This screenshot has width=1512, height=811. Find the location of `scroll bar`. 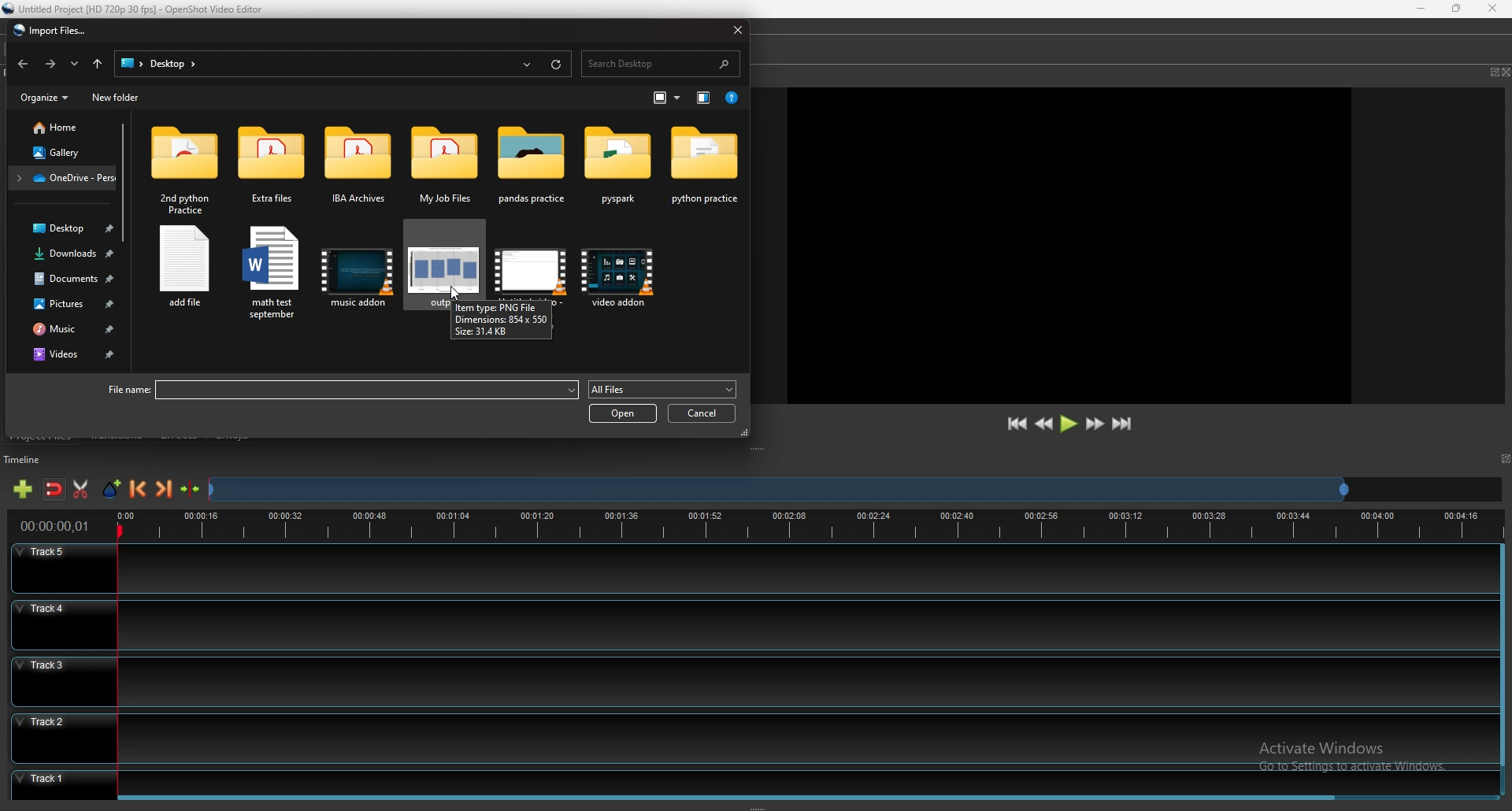

scroll bar is located at coordinates (125, 181).